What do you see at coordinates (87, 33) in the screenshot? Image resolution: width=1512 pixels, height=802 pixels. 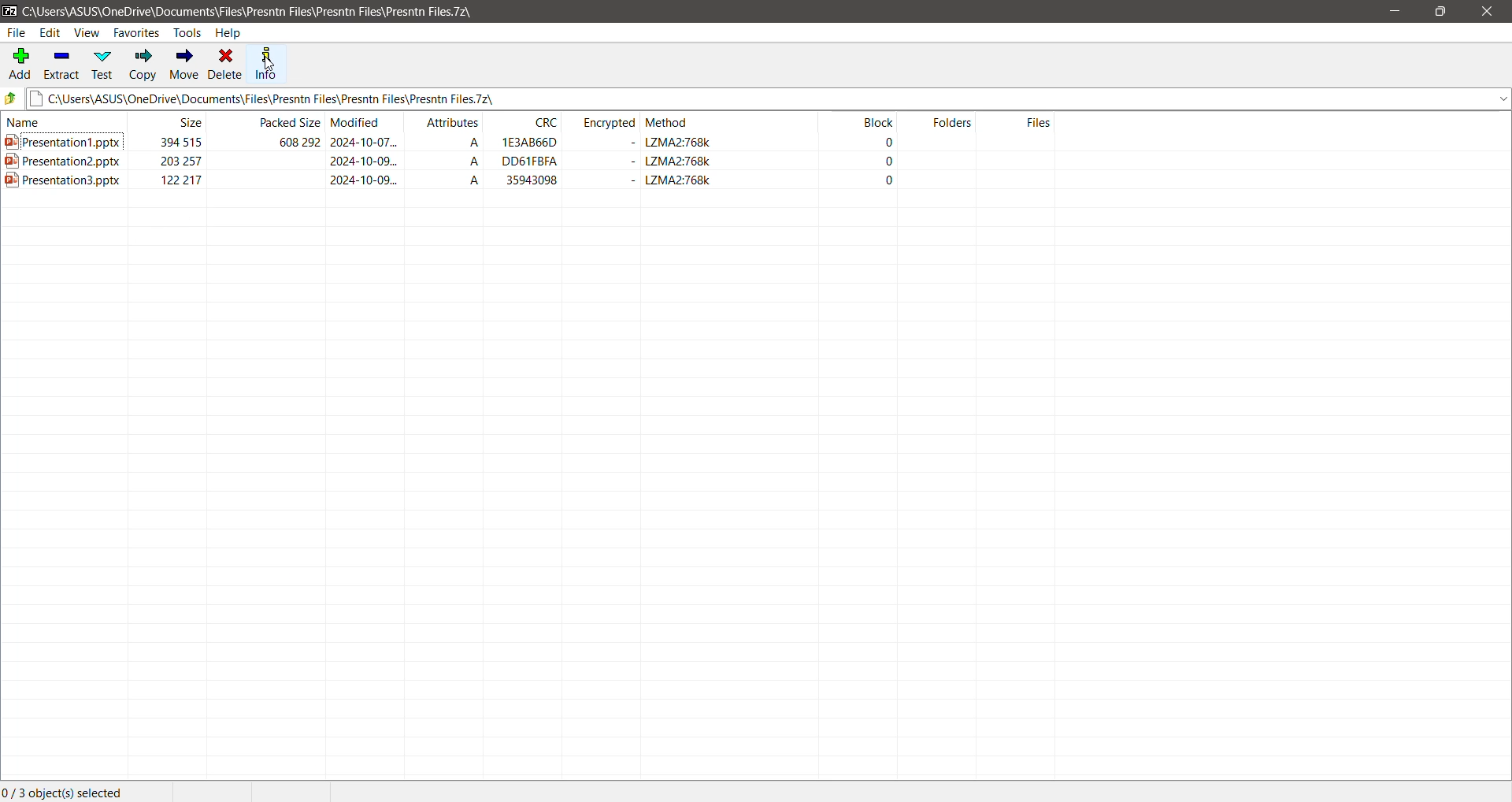 I see `View` at bounding box center [87, 33].